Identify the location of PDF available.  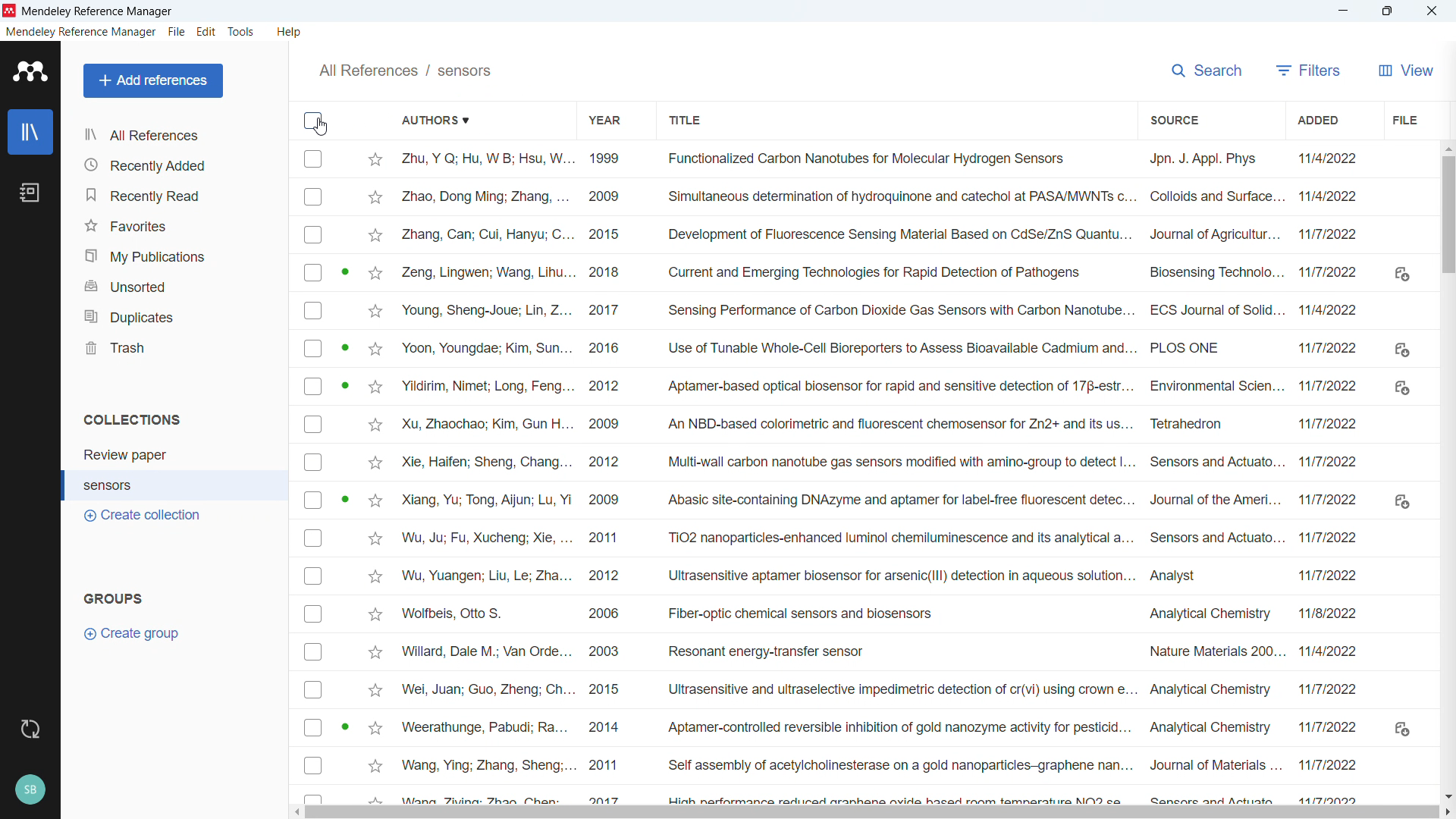
(345, 500).